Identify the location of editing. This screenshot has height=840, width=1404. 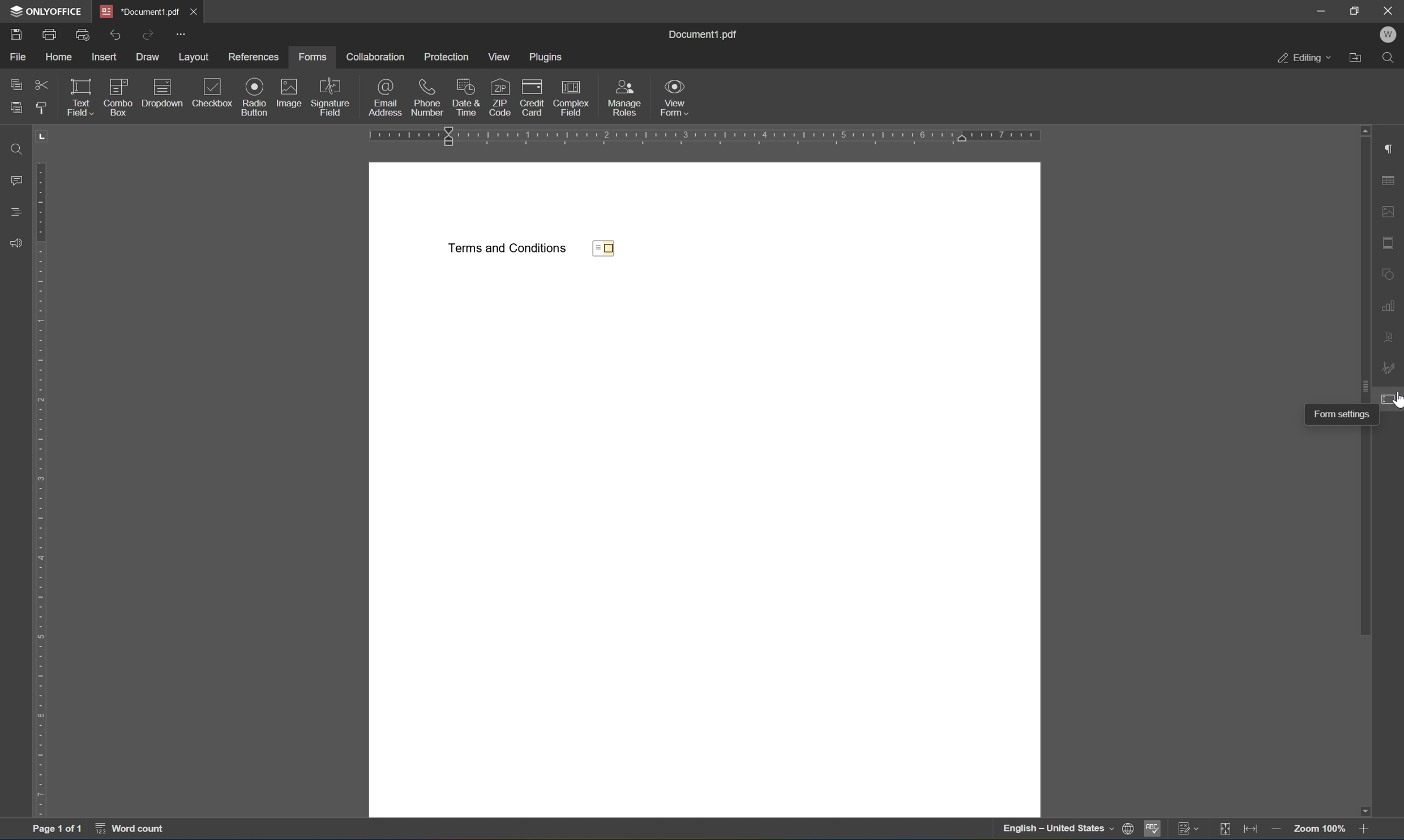
(1306, 58).